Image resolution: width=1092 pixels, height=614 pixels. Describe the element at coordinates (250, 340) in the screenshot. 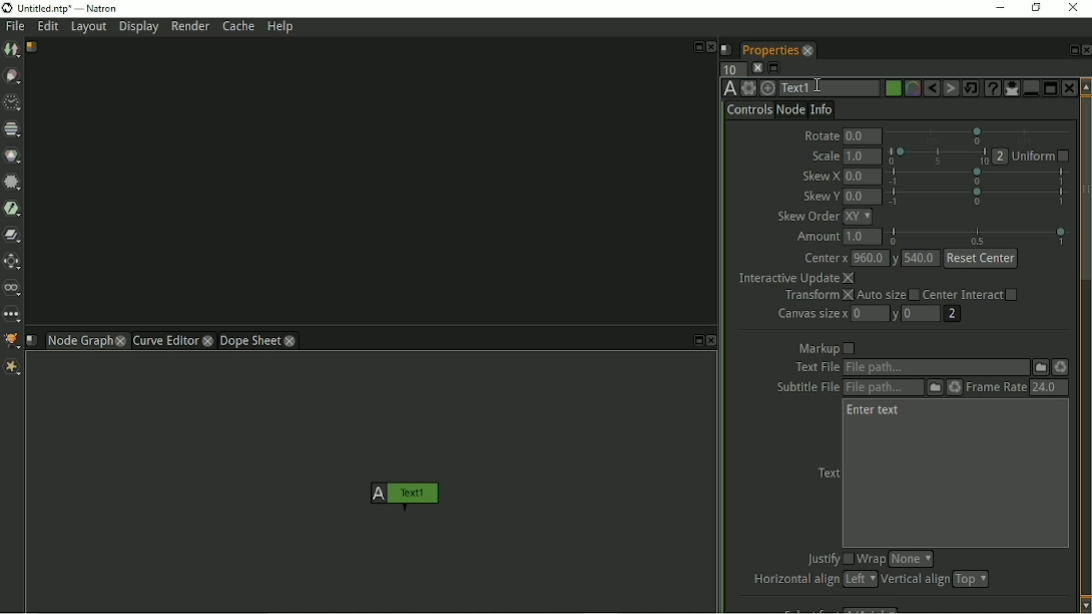

I see `Dope Sheet` at that location.